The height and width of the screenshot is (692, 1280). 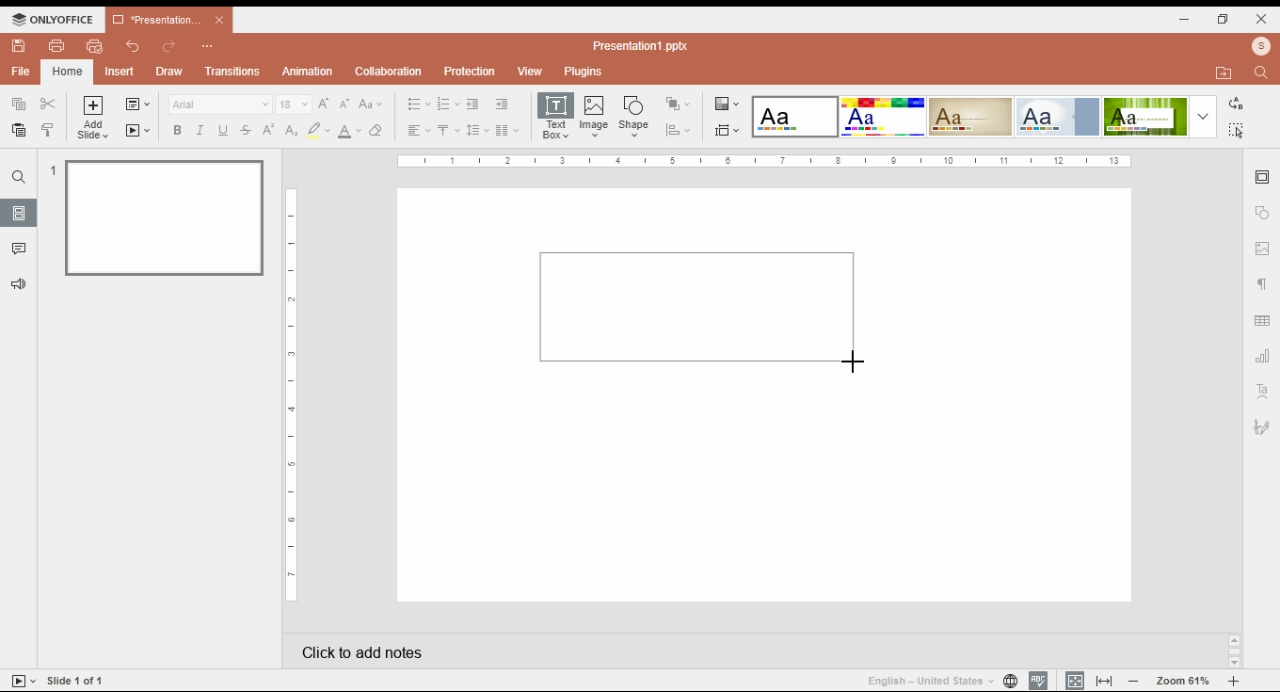 What do you see at coordinates (679, 103) in the screenshot?
I see `arrange shapes` at bounding box center [679, 103].